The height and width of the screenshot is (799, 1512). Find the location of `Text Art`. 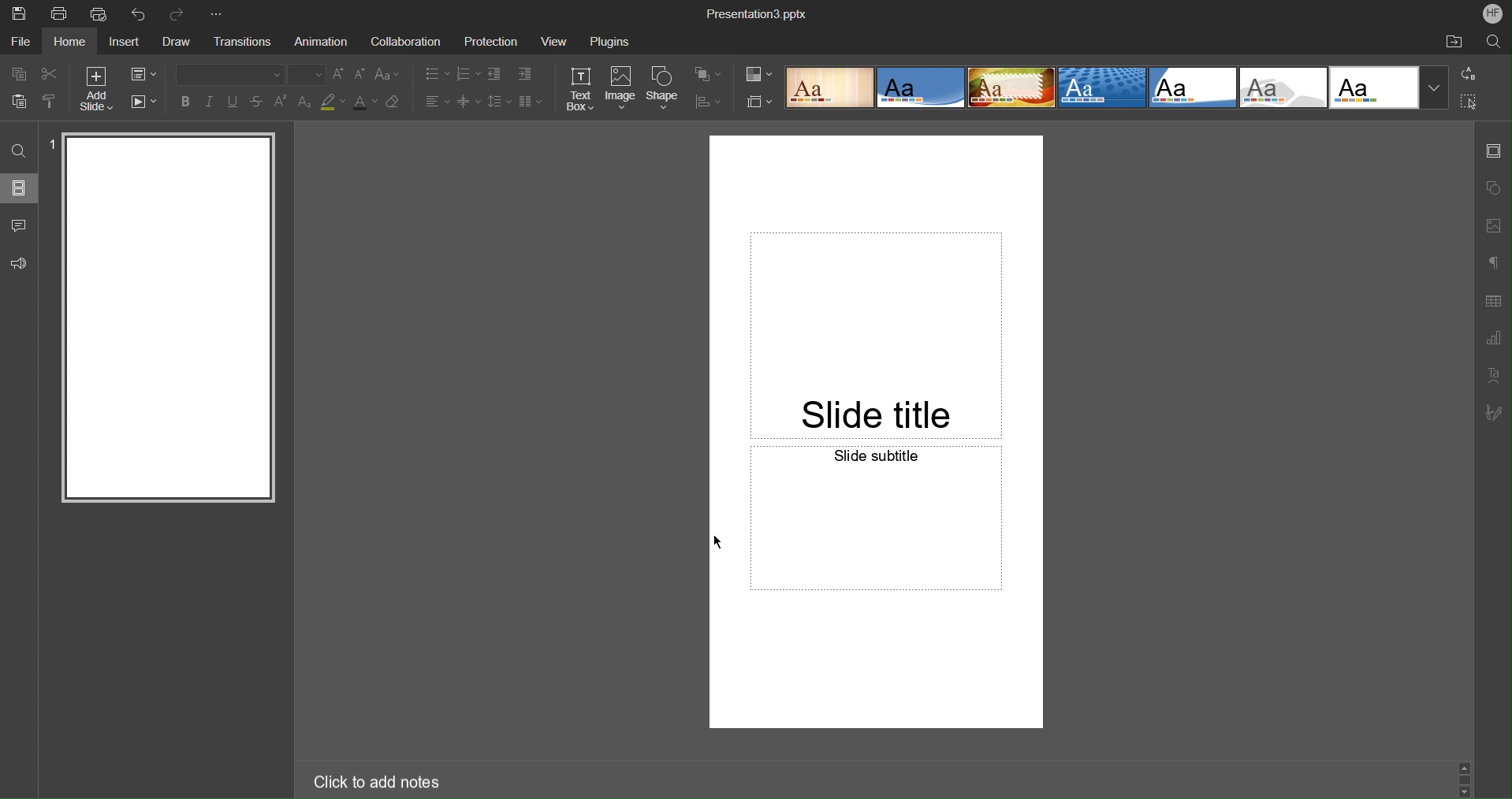

Text Art is located at coordinates (1493, 376).